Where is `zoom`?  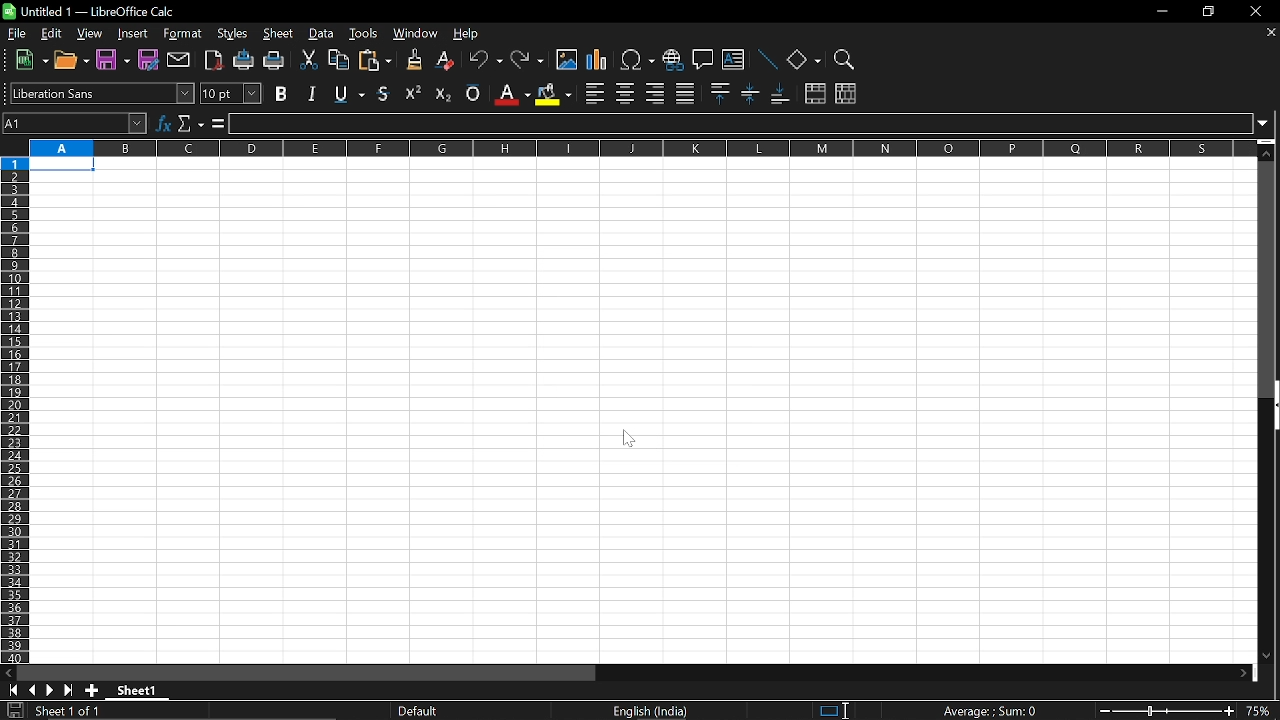
zoom is located at coordinates (842, 60).